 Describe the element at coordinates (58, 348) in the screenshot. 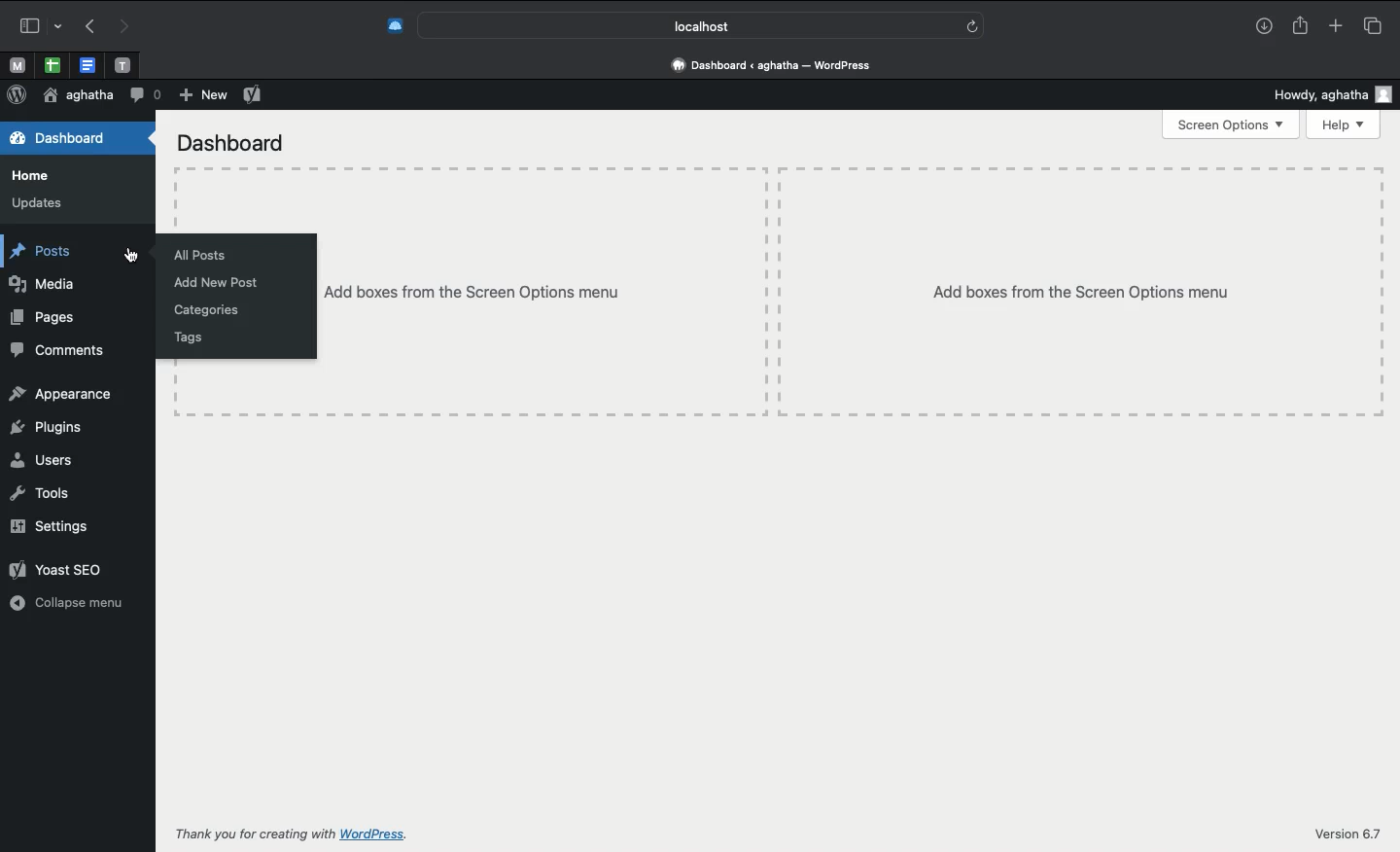

I see `Comments` at that location.